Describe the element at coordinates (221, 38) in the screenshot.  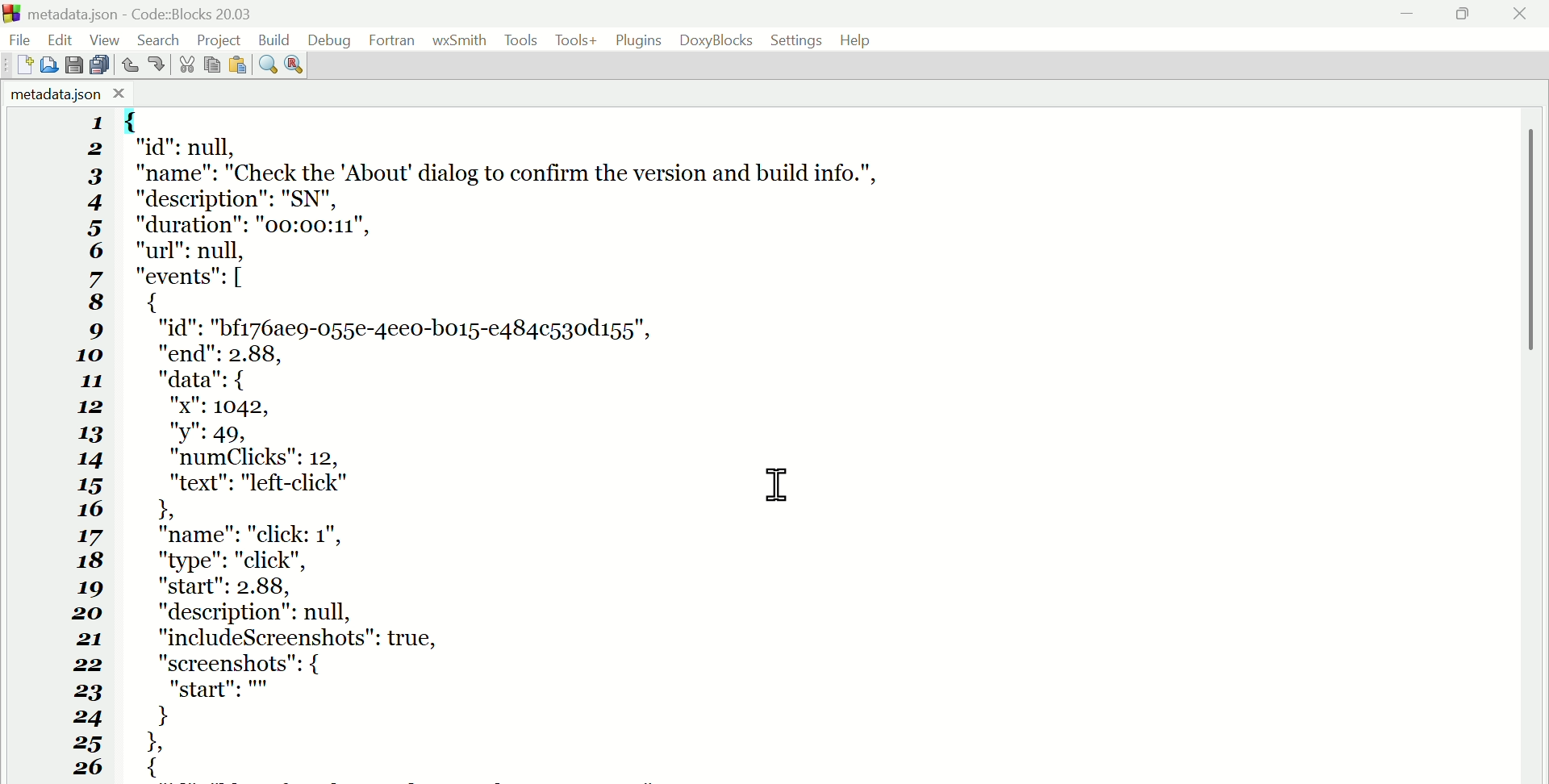
I see `Project` at that location.